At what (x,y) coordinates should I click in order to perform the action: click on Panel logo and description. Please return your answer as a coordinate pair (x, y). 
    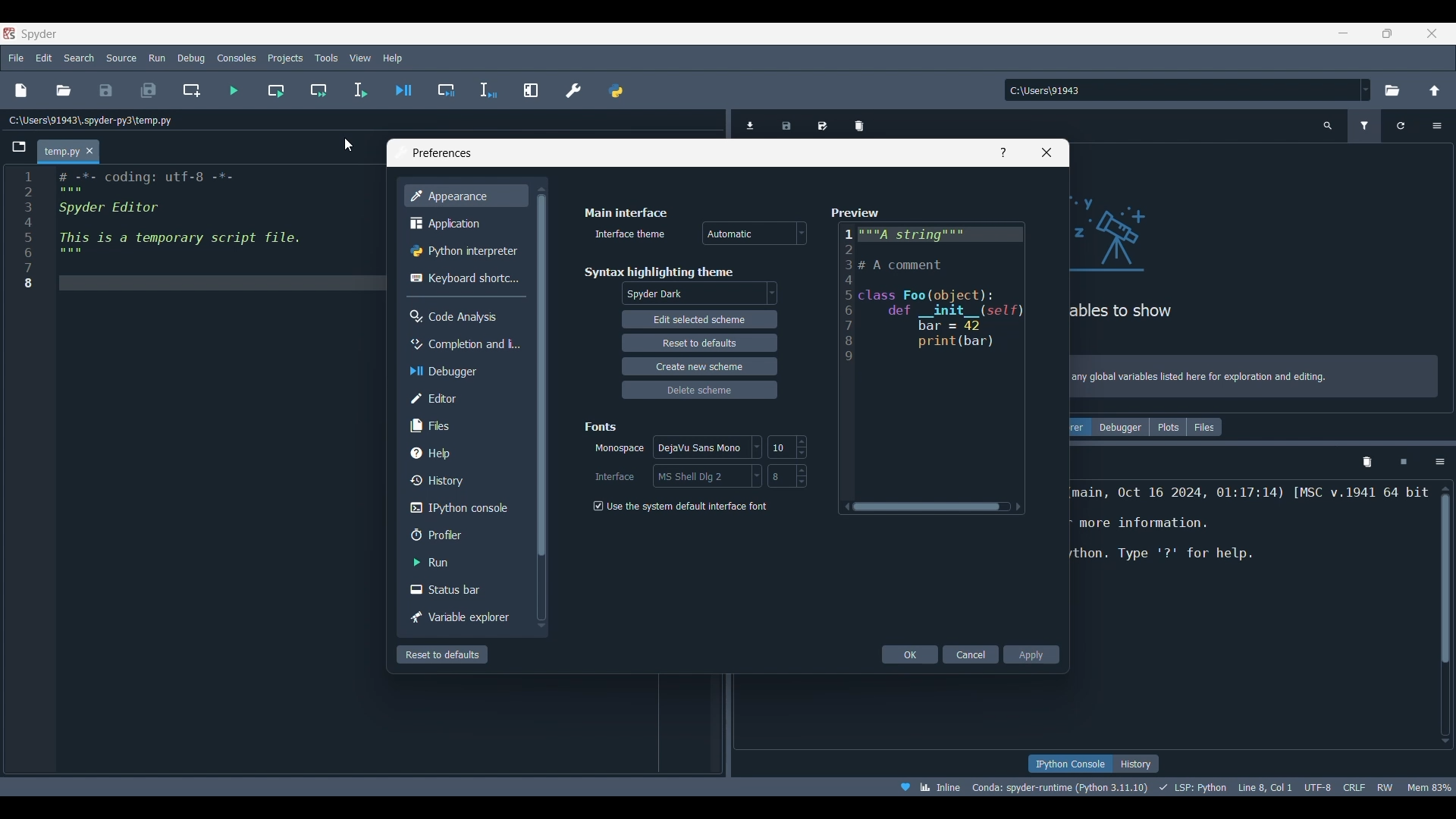
    Looking at the image, I should click on (1262, 280).